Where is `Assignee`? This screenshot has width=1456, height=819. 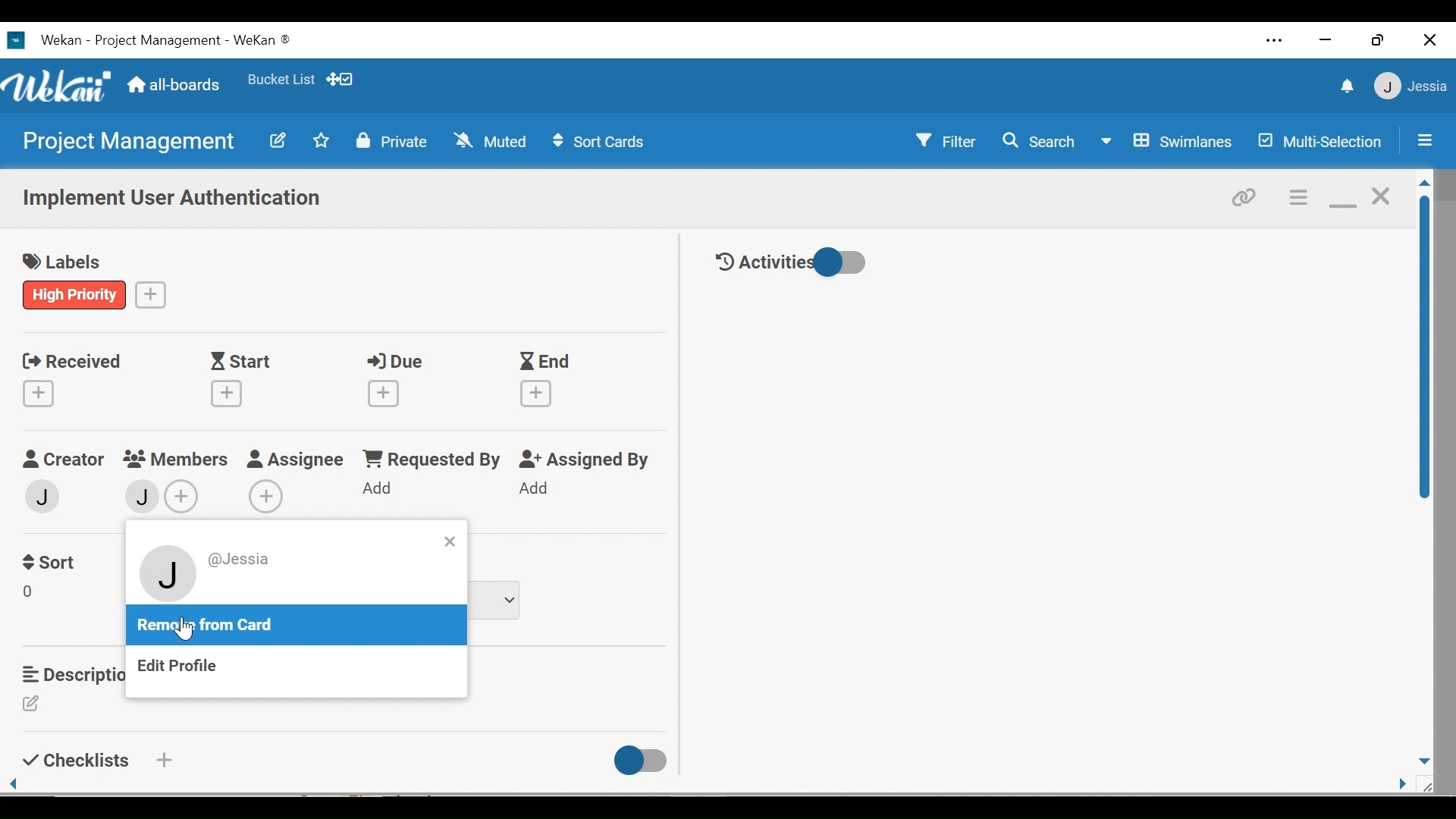 Assignee is located at coordinates (296, 458).